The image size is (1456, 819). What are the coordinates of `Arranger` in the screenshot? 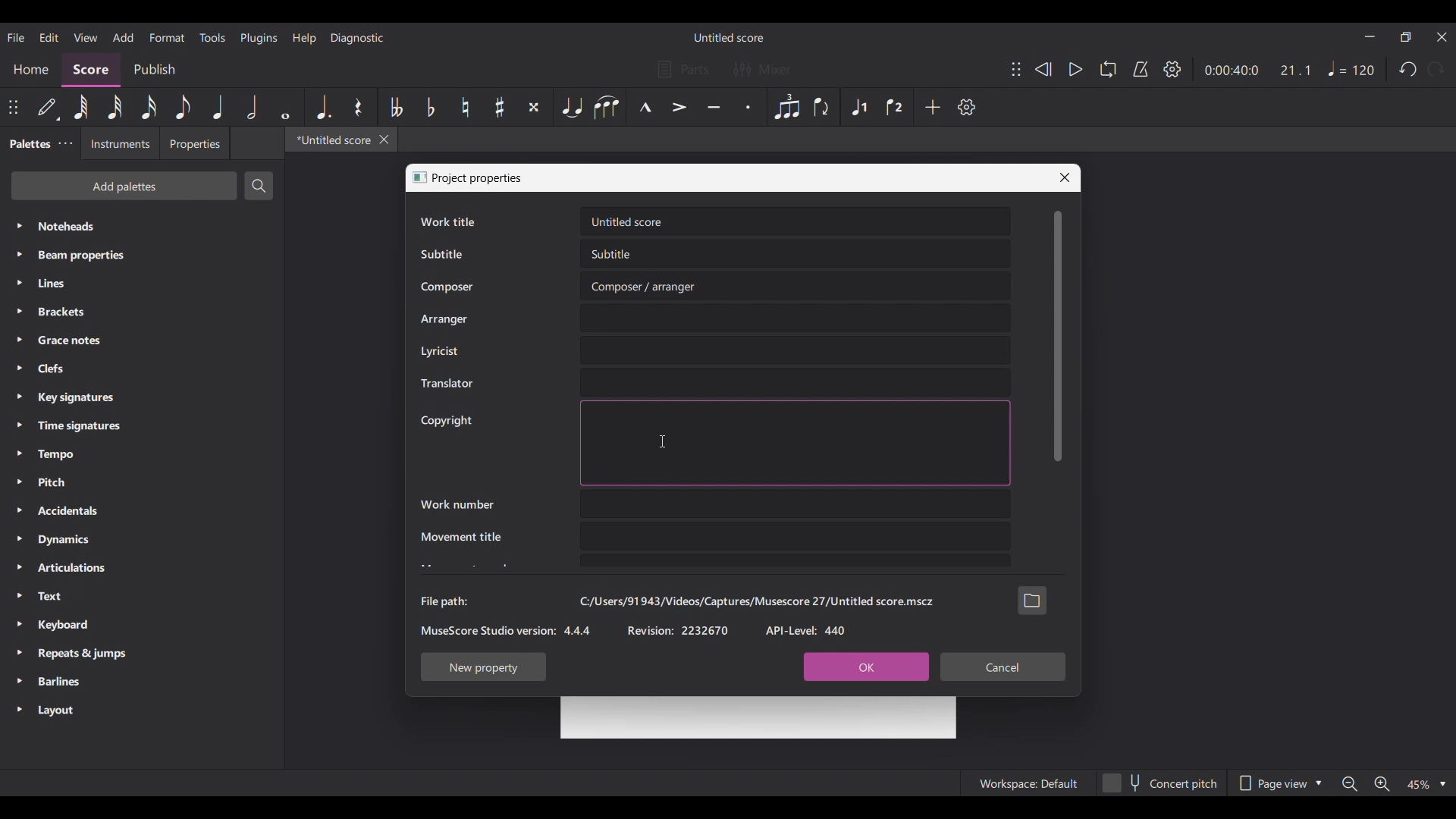 It's located at (444, 319).